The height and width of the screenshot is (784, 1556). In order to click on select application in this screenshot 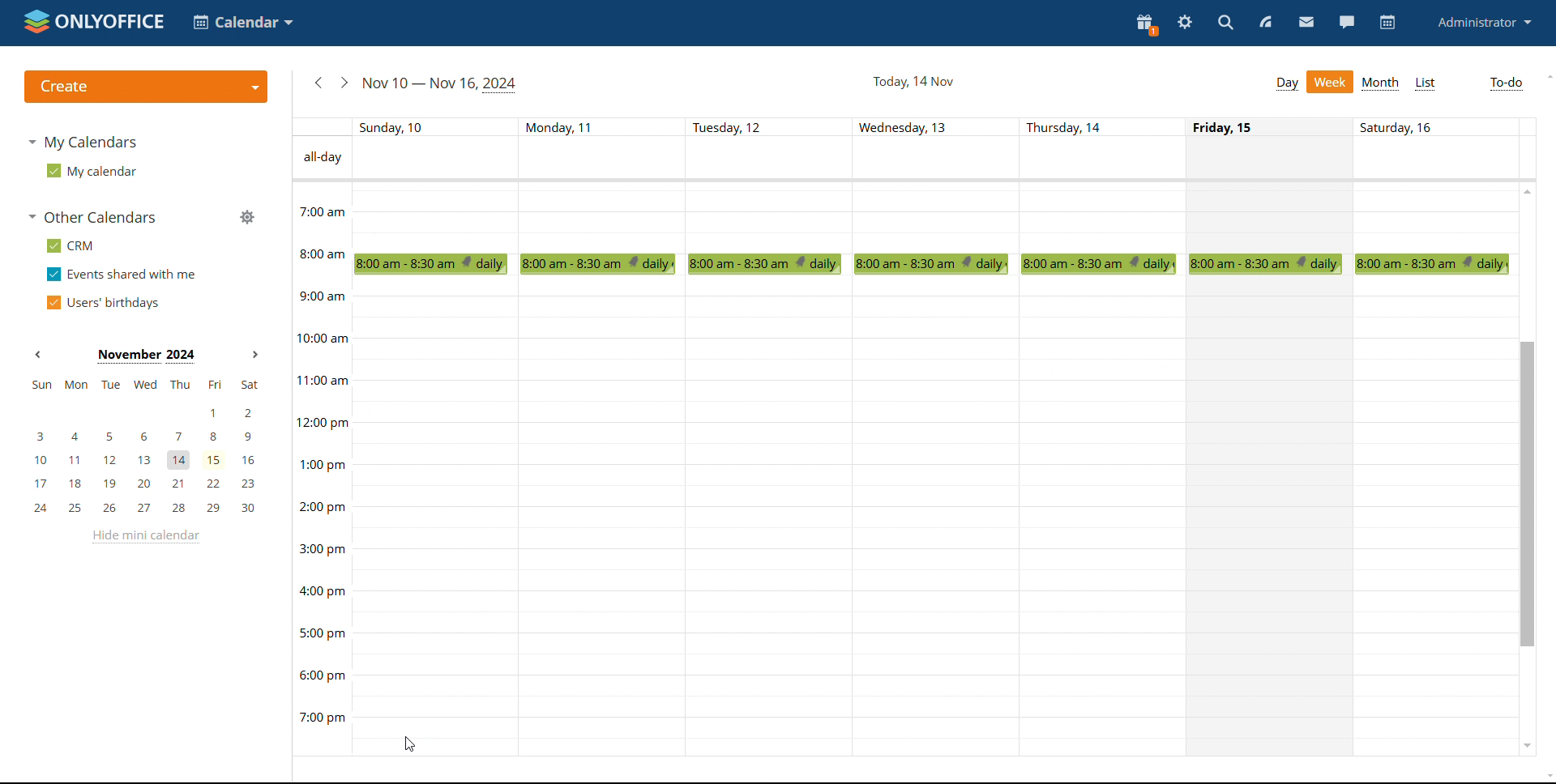, I will do `click(243, 23)`.